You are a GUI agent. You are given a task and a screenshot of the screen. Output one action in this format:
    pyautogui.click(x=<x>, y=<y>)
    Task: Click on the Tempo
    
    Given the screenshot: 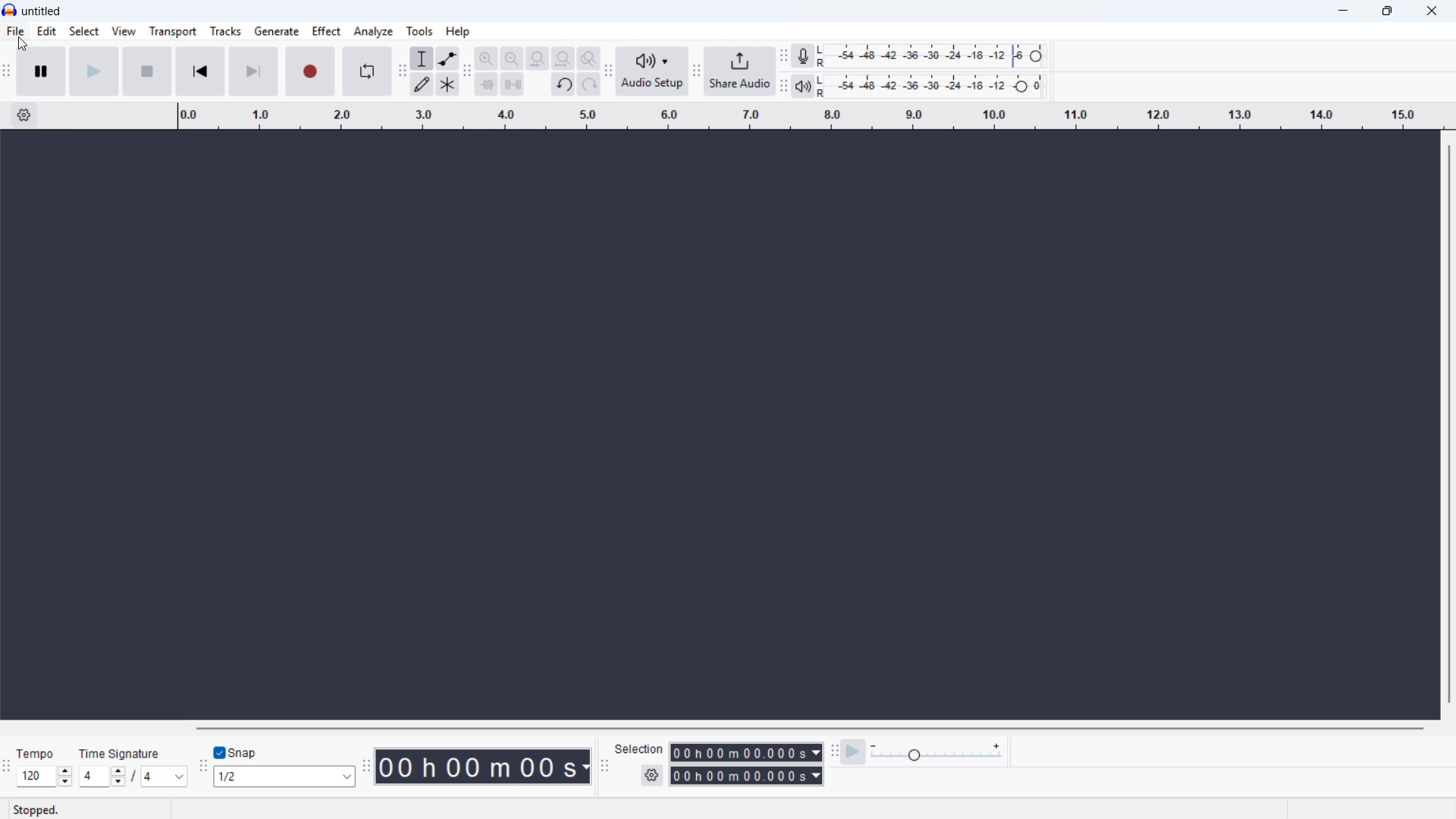 What is the action you would take?
    pyautogui.click(x=39, y=754)
    